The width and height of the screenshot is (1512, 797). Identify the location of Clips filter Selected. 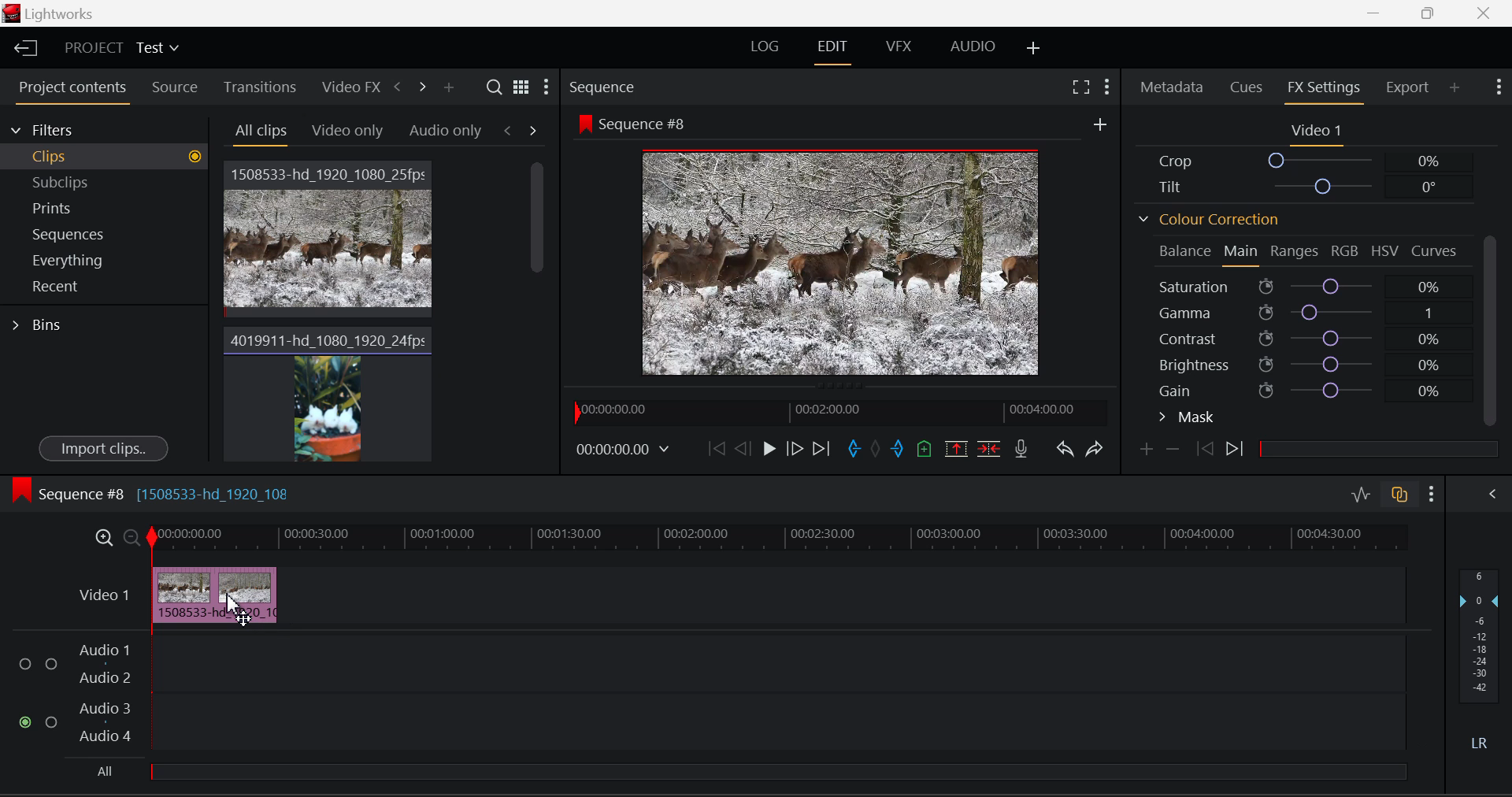
(115, 157).